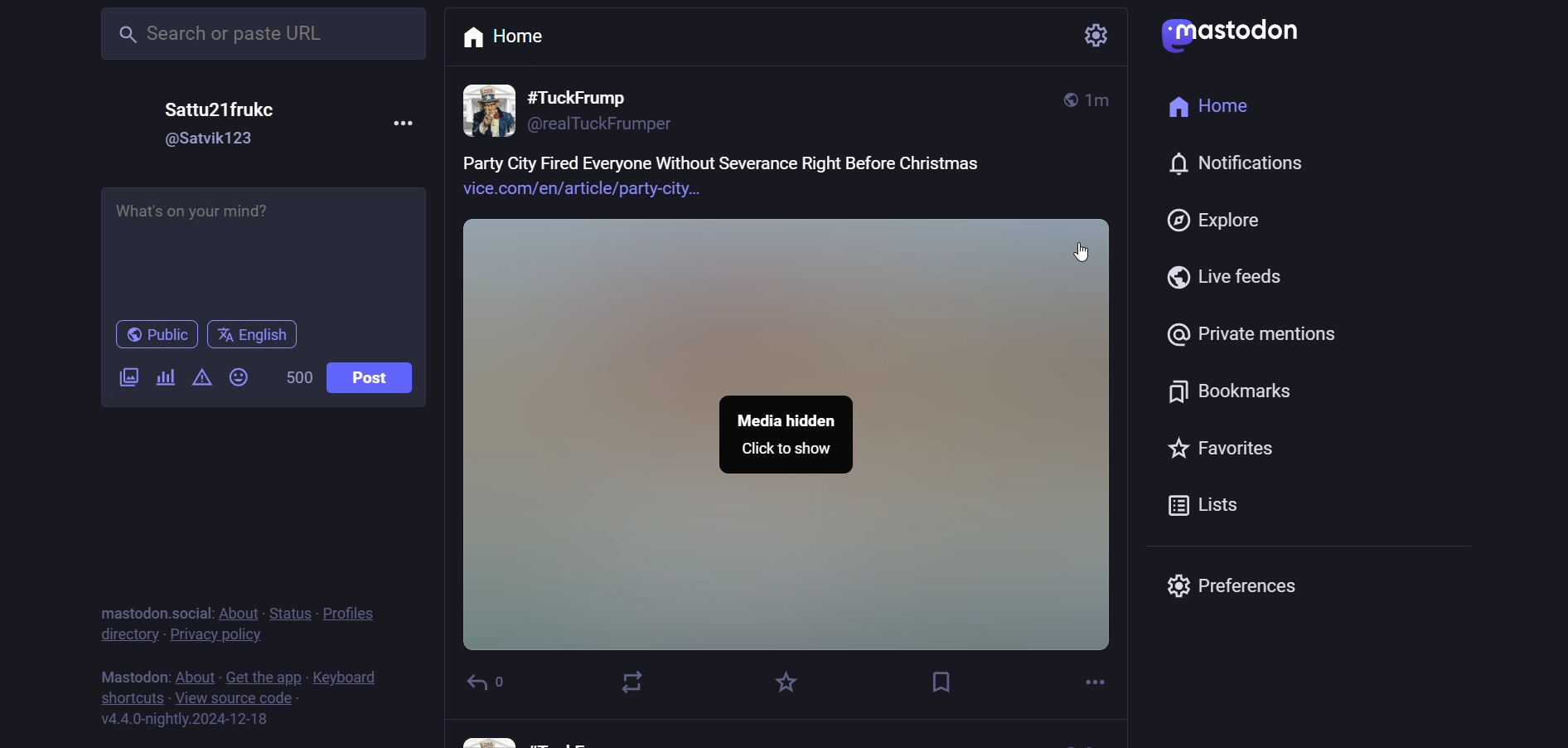 This screenshot has width=1568, height=748. What do you see at coordinates (262, 672) in the screenshot?
I see `get the app` at bounding box center [262, 672].